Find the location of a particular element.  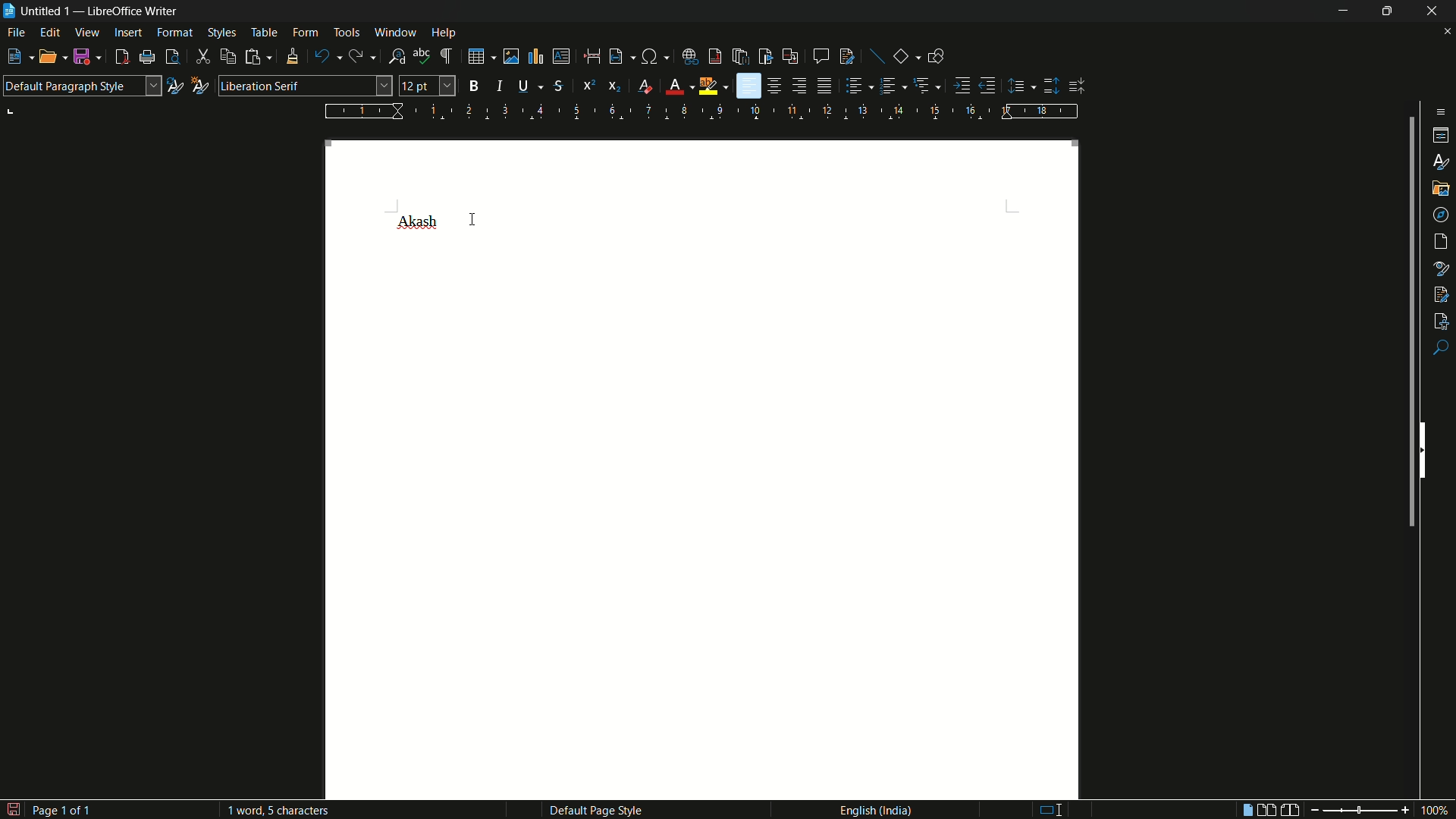

redo is located at coordinates (355, 56).